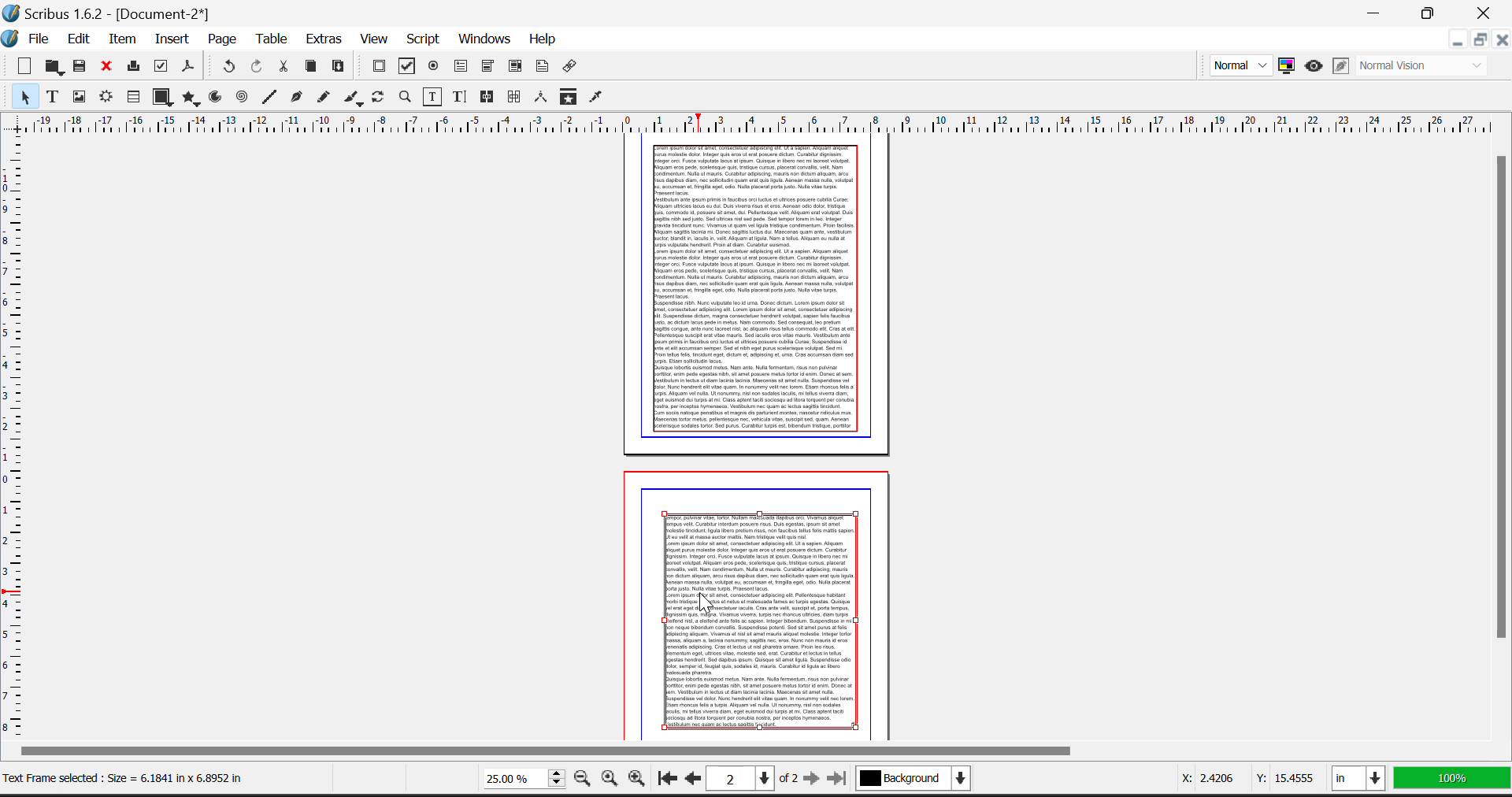  I want to click on Discard, so click(108, 67).